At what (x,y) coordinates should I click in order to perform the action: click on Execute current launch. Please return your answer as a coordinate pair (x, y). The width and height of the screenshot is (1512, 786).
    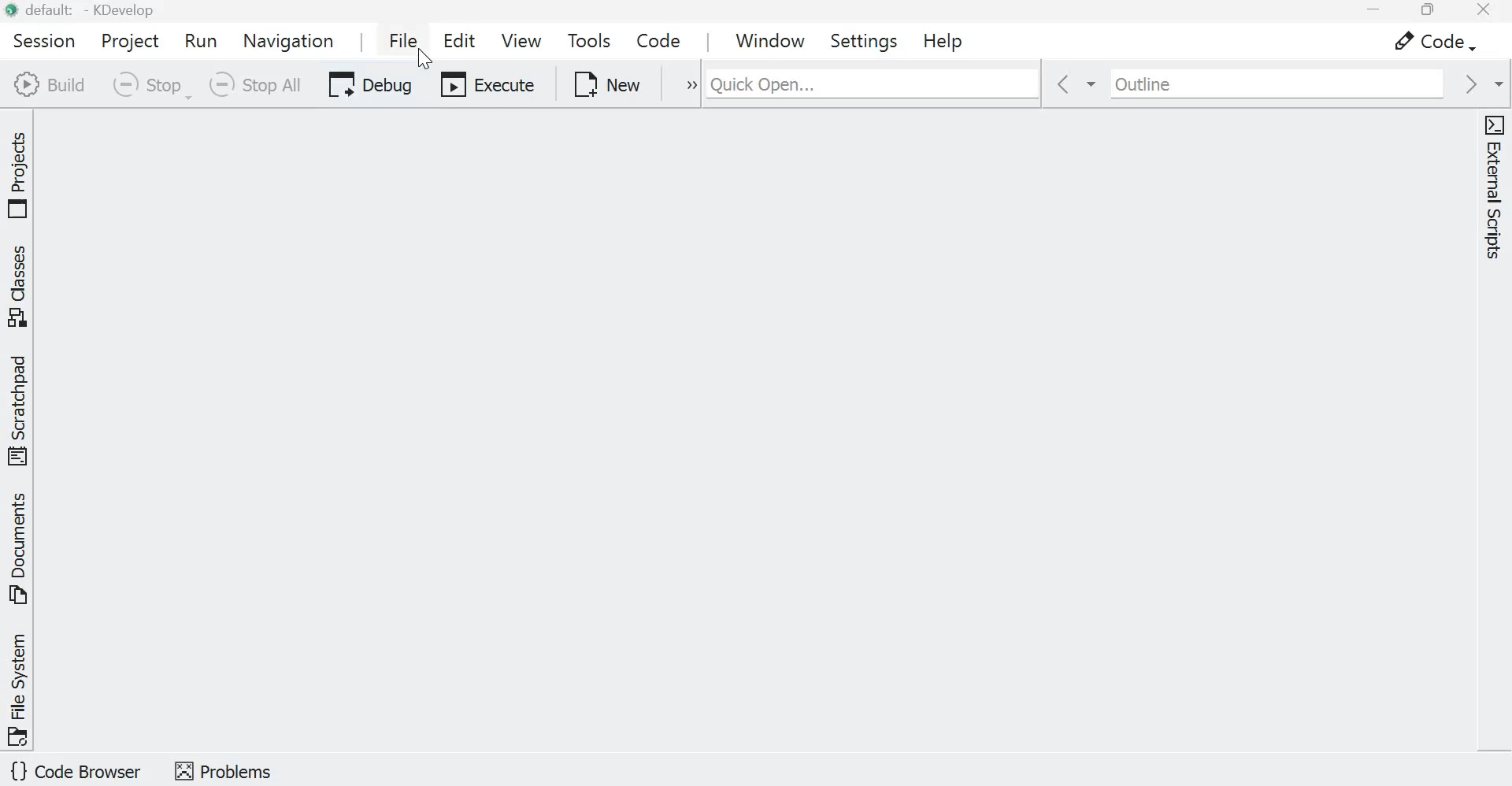
    Looking at the image, I should click on (487, 87).